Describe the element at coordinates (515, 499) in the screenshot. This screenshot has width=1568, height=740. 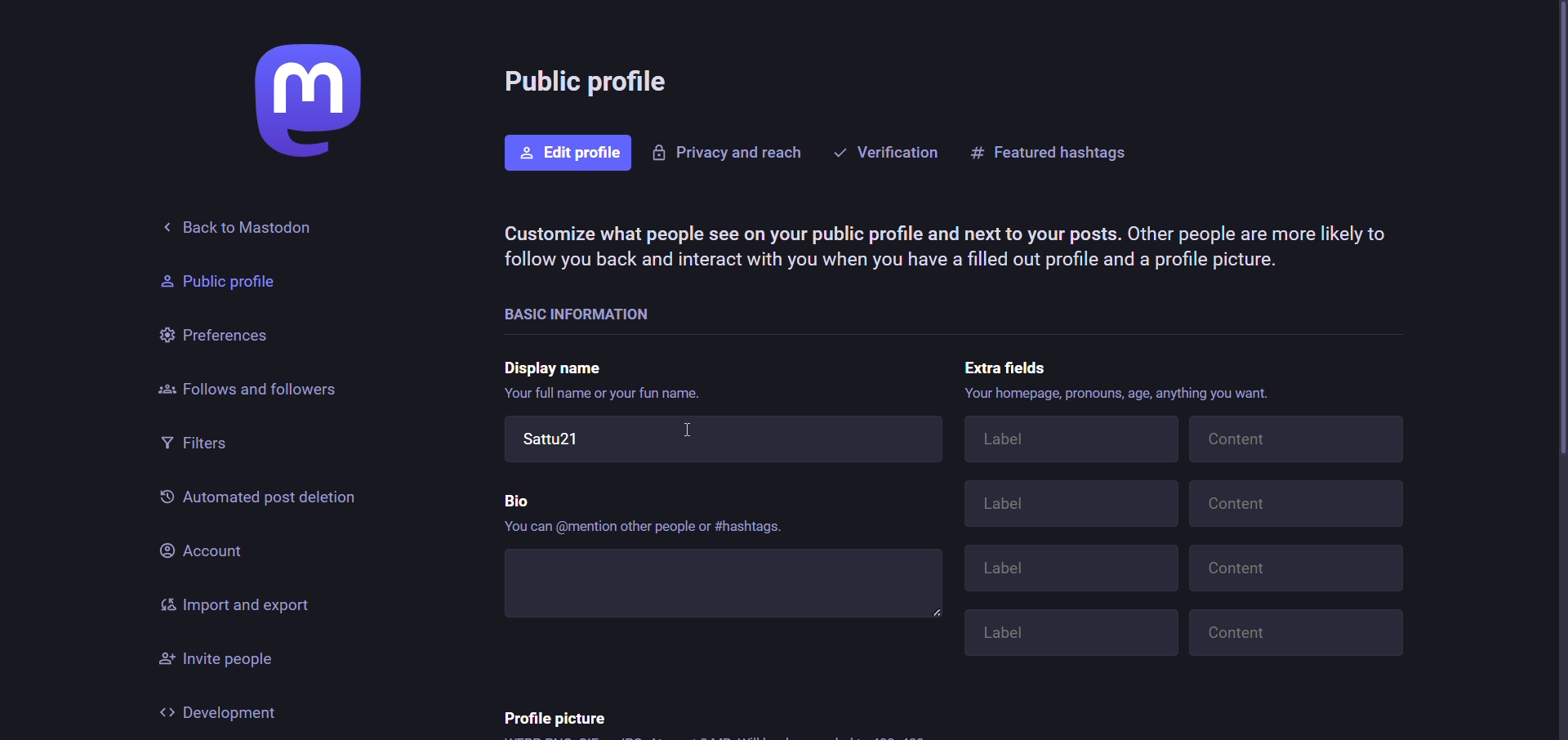
I see `bio` at that location.